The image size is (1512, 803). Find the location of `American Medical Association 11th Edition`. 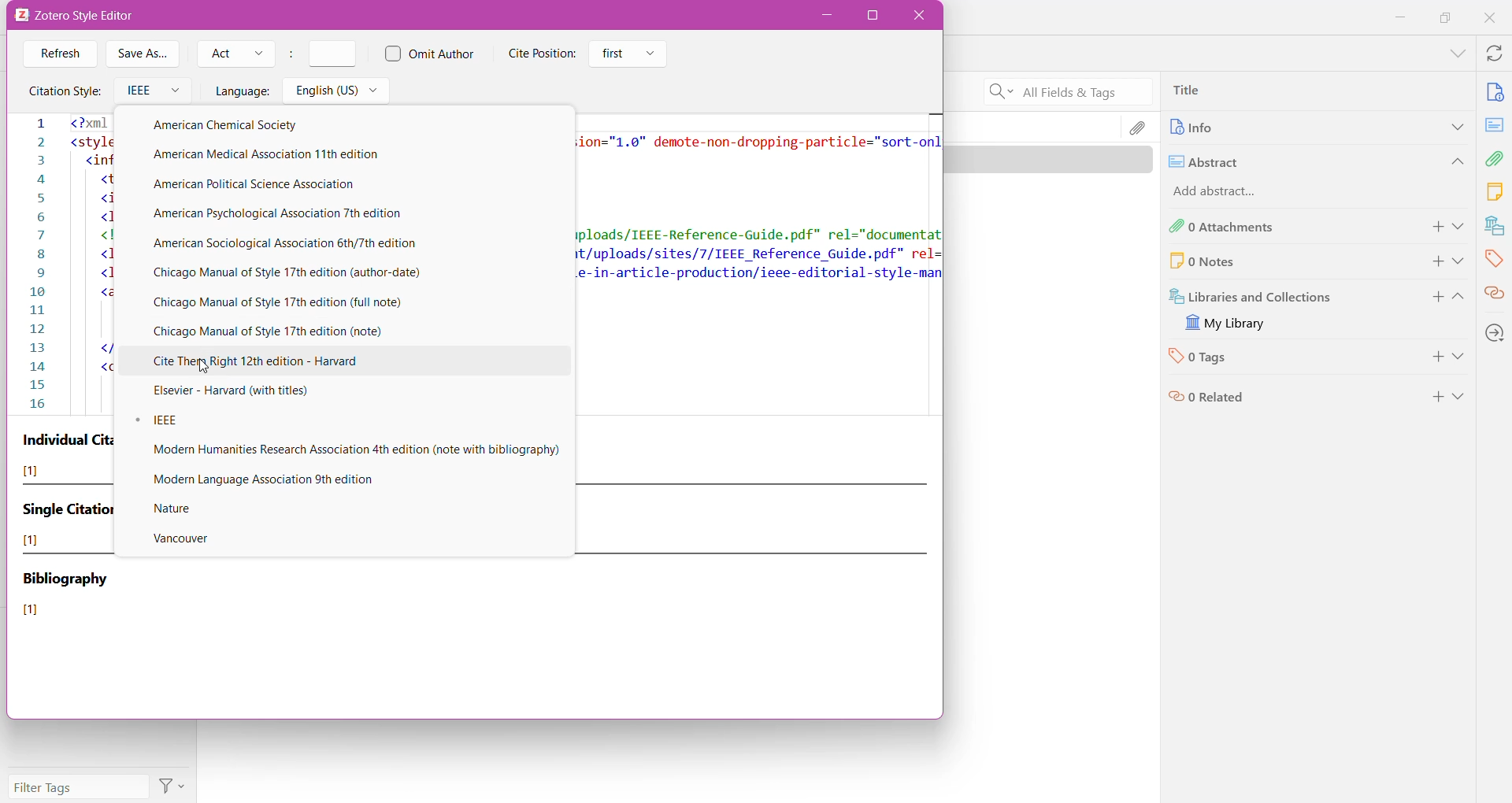

American Medical Association 11th Edition is located at coordinates (321, 157).